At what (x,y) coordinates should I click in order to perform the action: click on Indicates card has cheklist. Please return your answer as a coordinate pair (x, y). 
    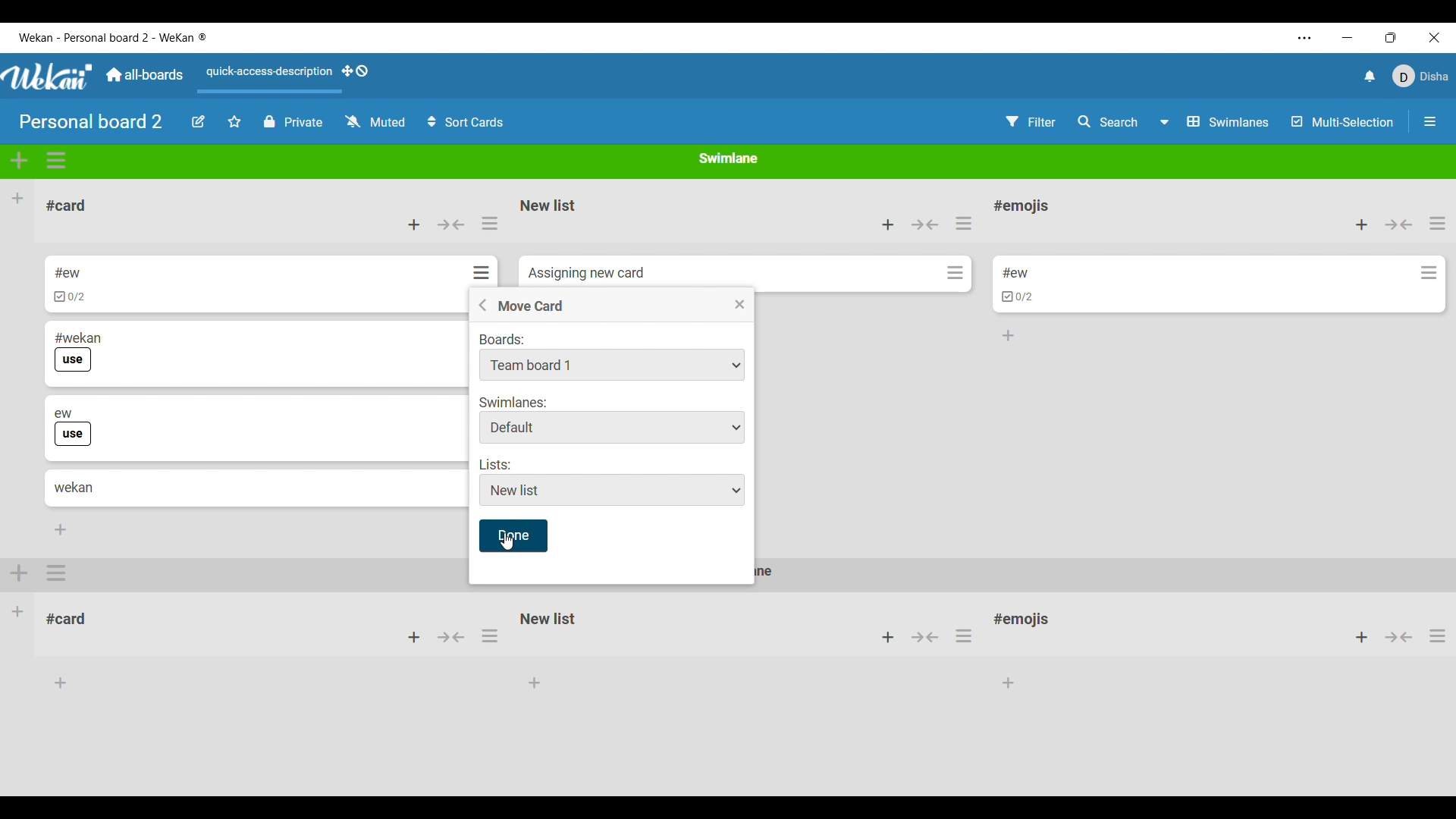
    Looking at the image, I should click on (1018, 297).